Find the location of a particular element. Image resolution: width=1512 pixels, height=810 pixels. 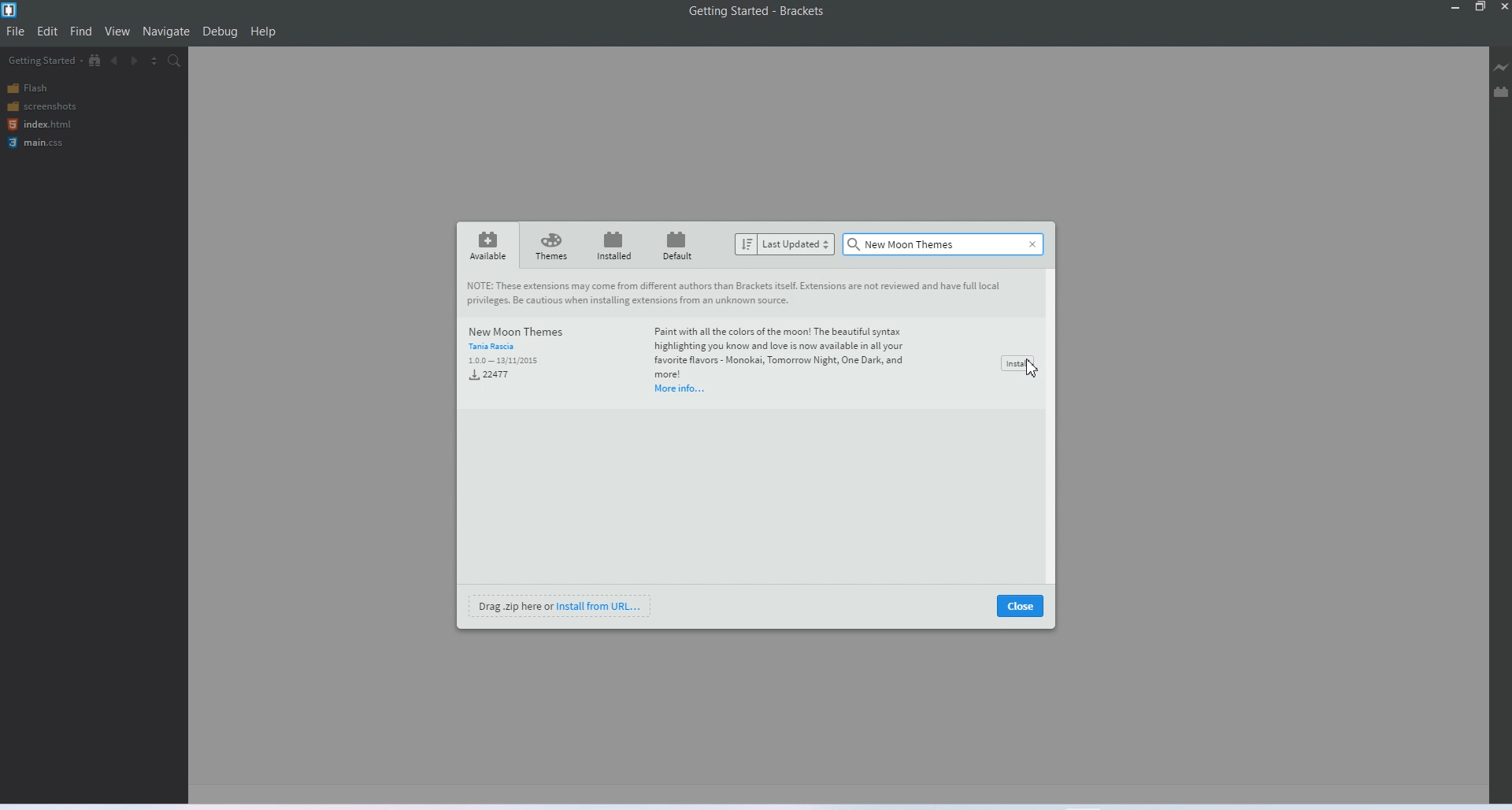

screenshots is located at coordinates (41, 106).